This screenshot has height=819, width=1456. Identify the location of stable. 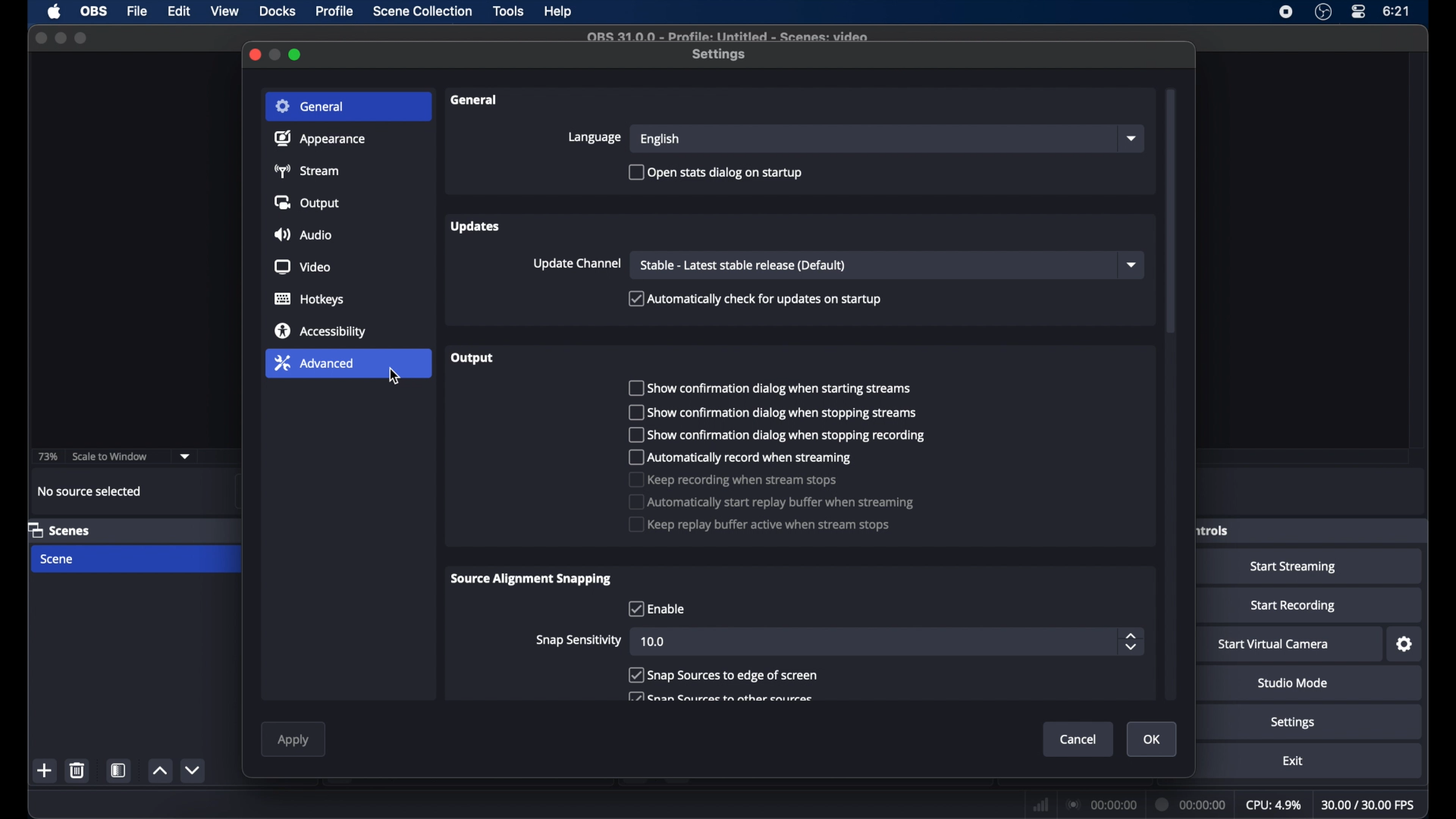
(742, 265).